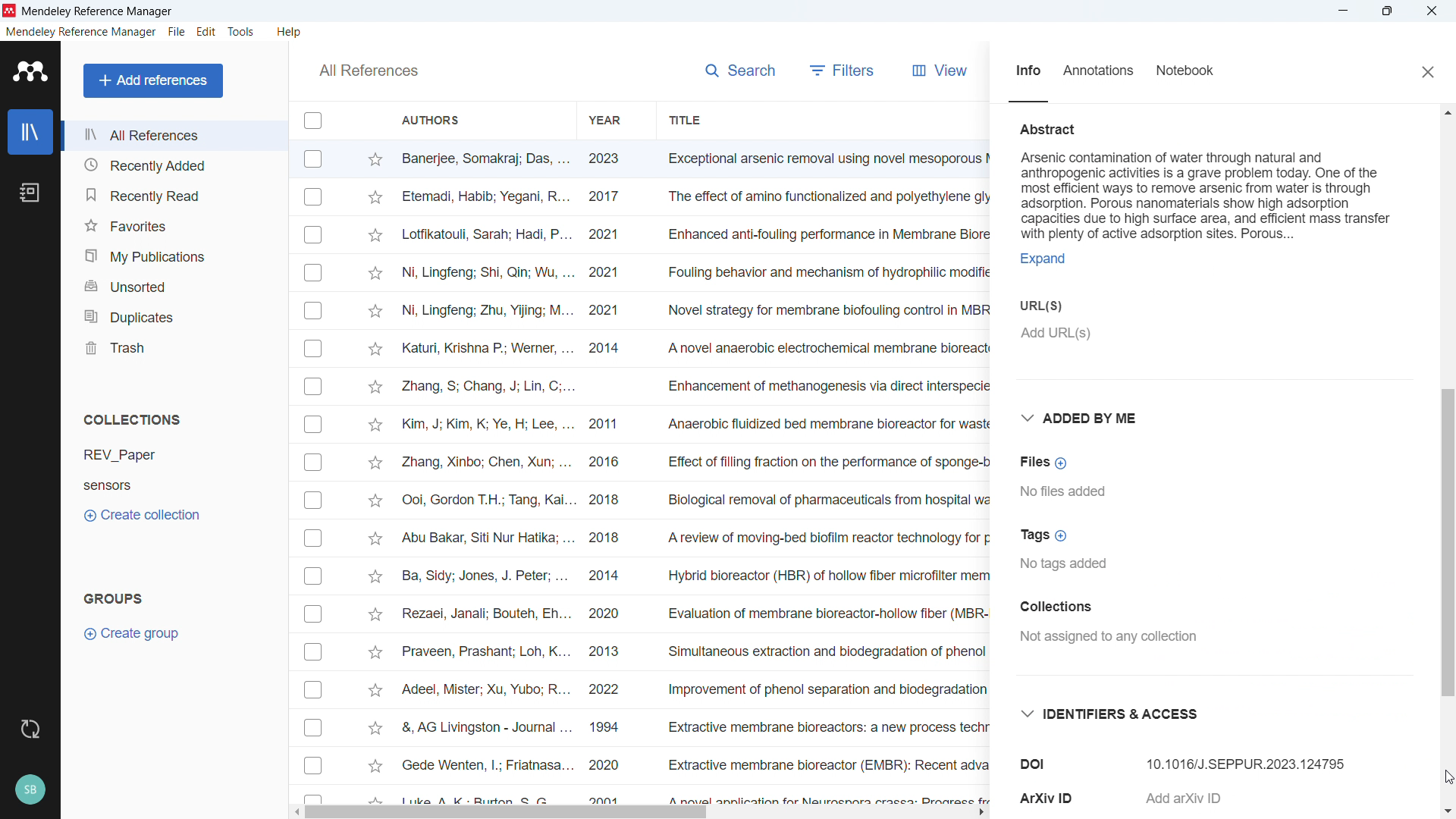 The height and width of the screenshot is (819, 1456). What do you see at coordinates (30, 131) in the screenshot?
I see `library` at bounding box center [30, 131].